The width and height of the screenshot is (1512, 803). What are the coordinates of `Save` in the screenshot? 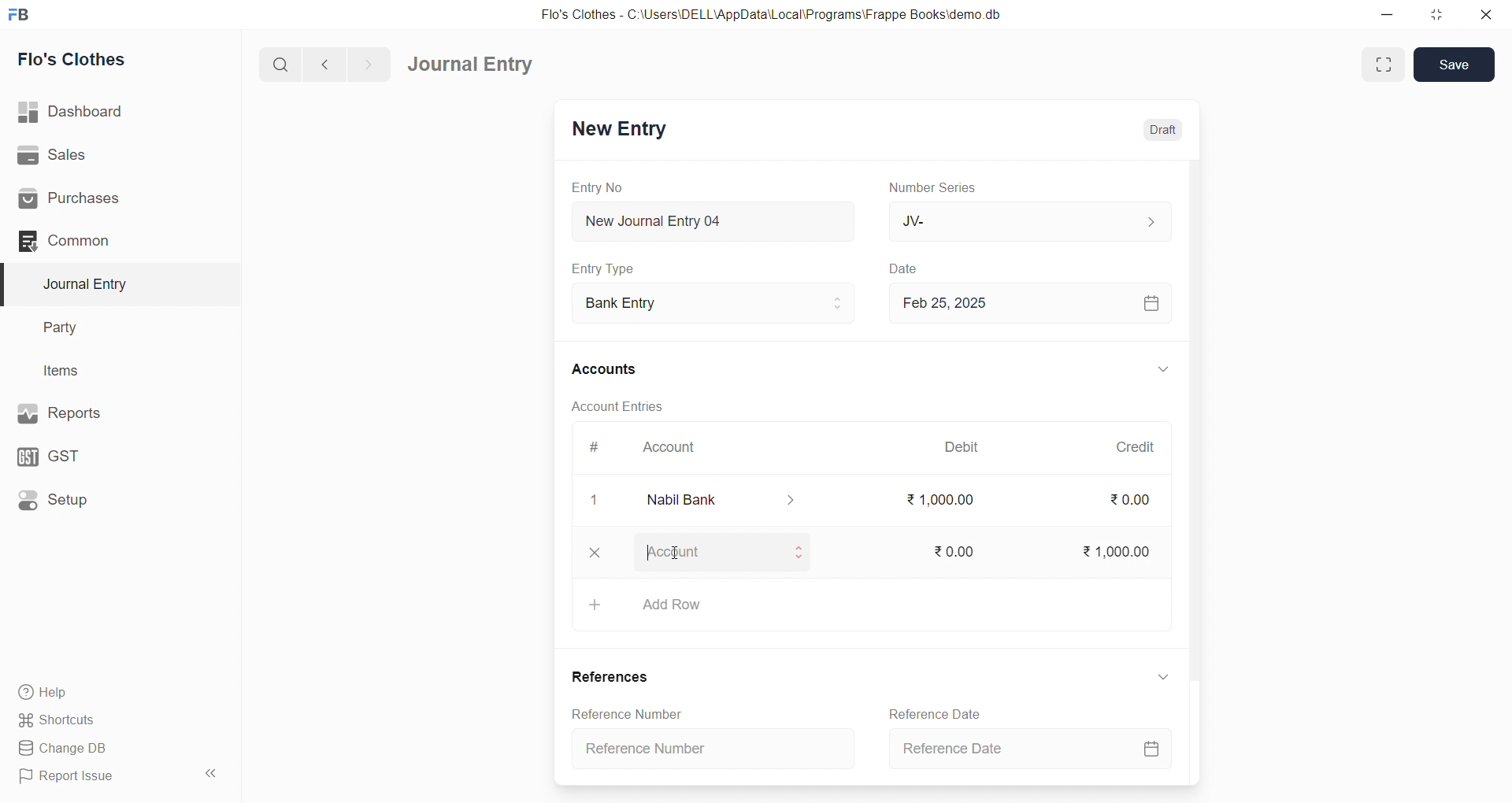 It's located at (1455, 63).